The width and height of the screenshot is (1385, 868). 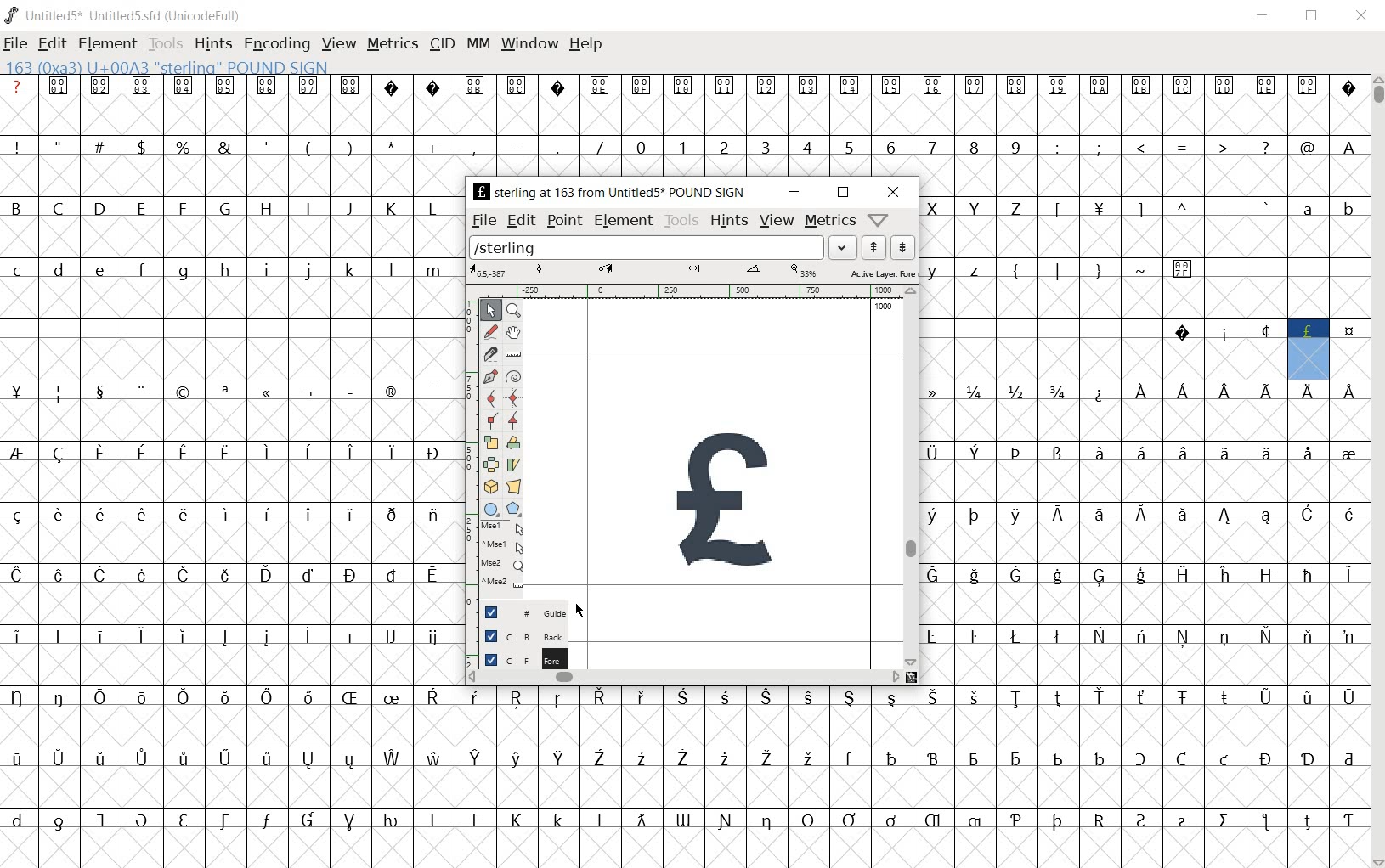 What do you see at coordinates (1348, 453) in the screenshot?
I see `Symbol` at bounding box center [1348, 453].